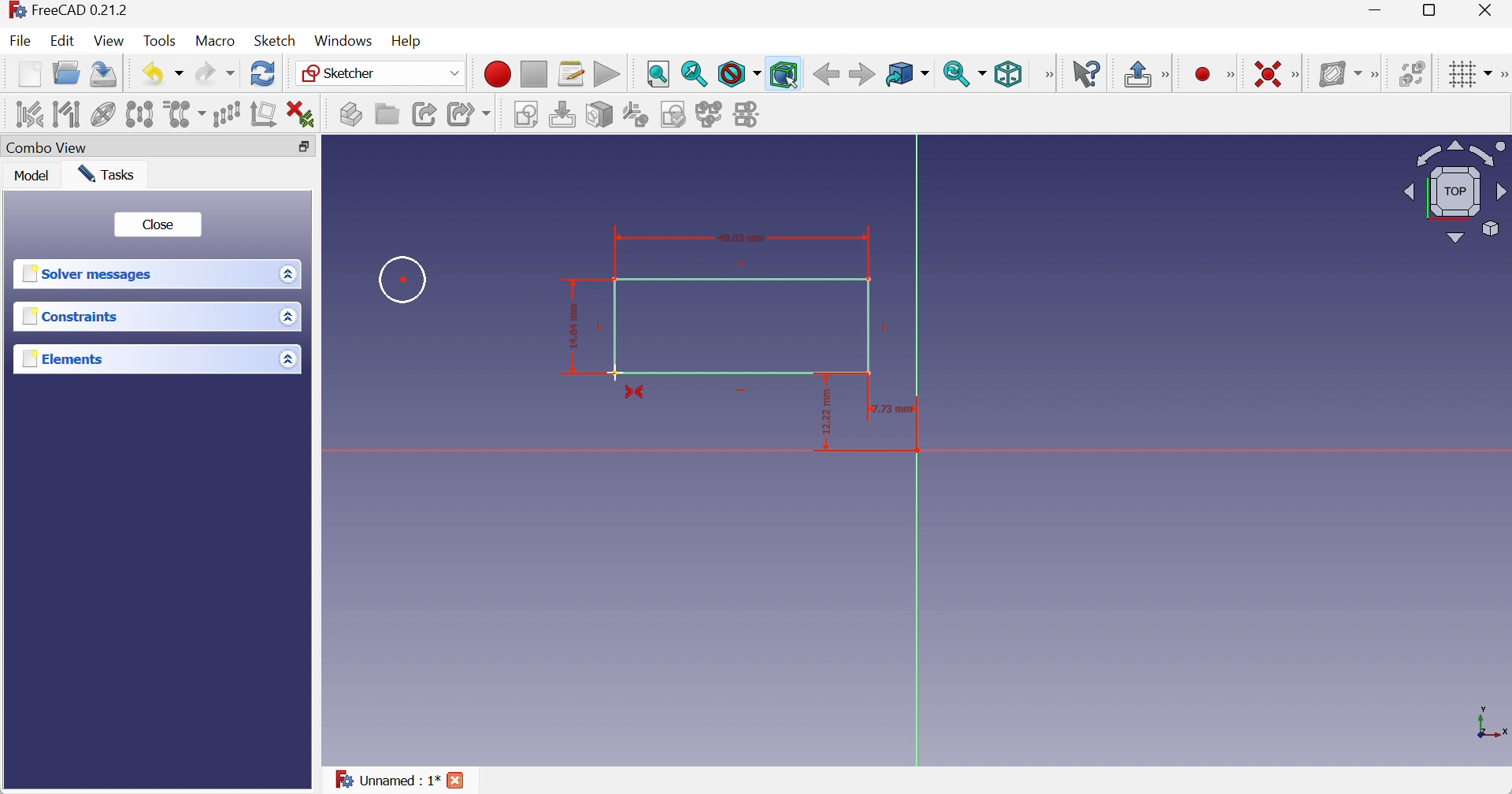  I want to click on Sketch, so click(275, 40).